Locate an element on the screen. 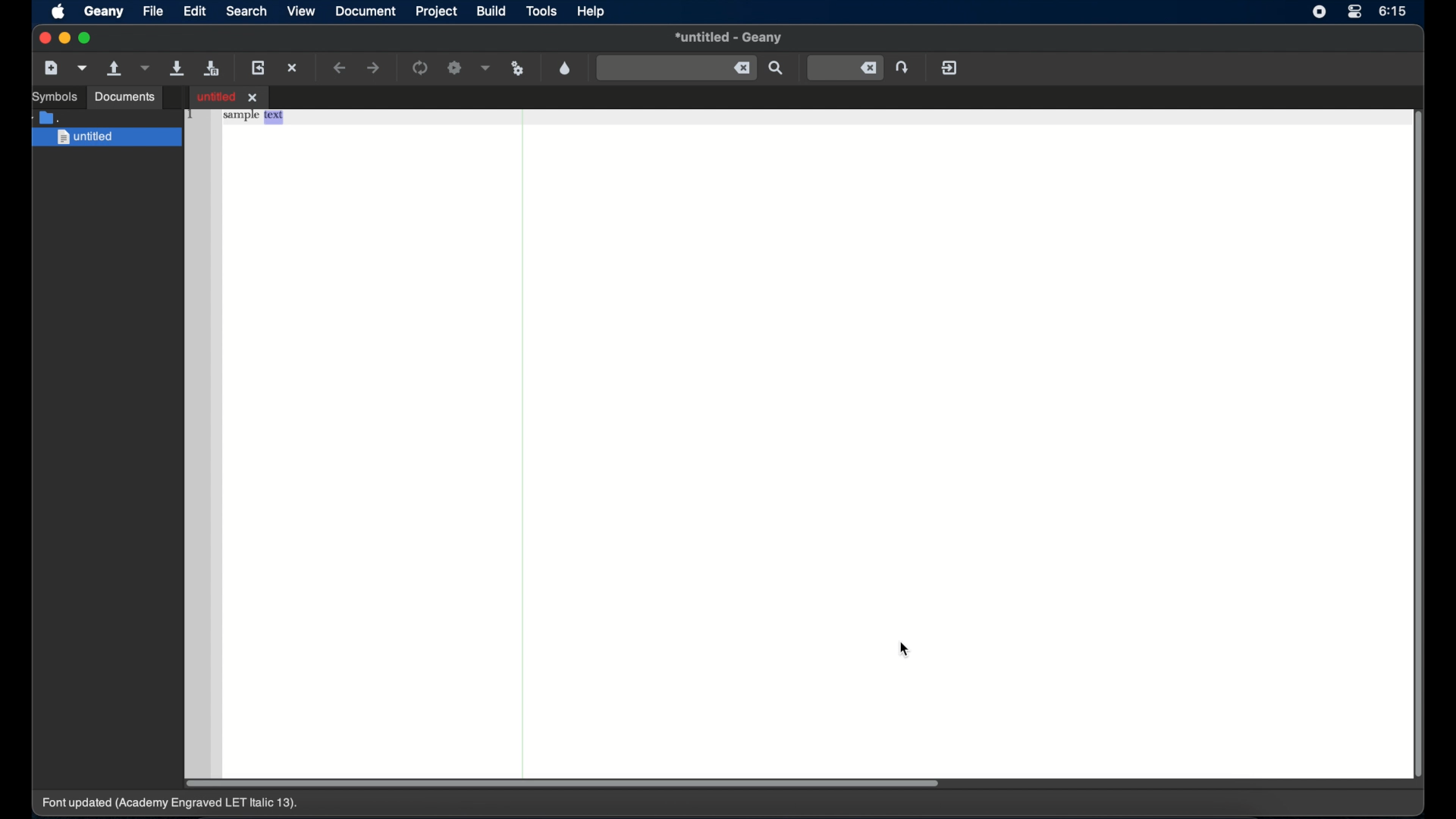 Image resolution: width=1456 pixels, height=819 pixels. build is located at coordinates (491, 11).